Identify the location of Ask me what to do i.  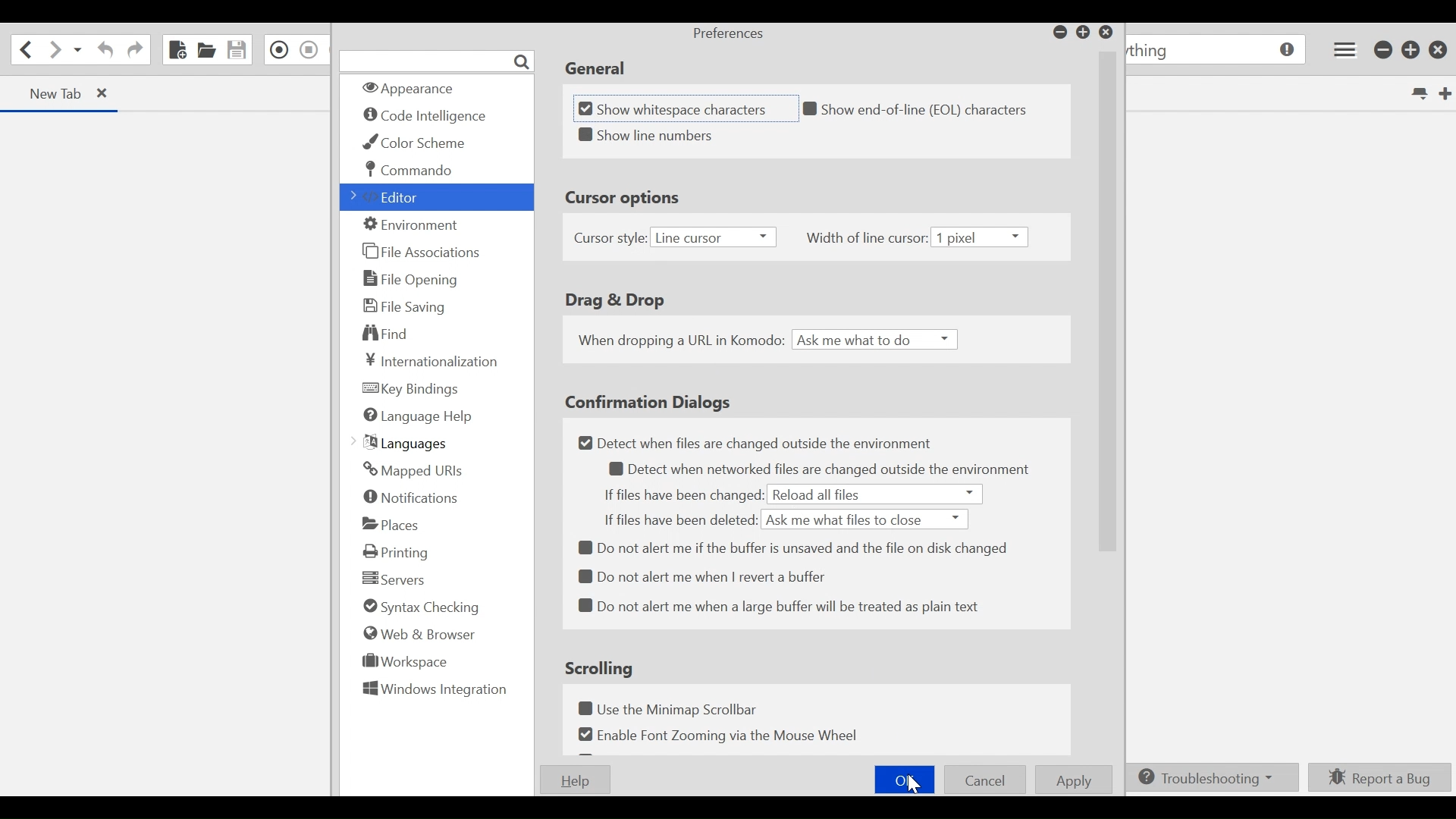
(874, 339).